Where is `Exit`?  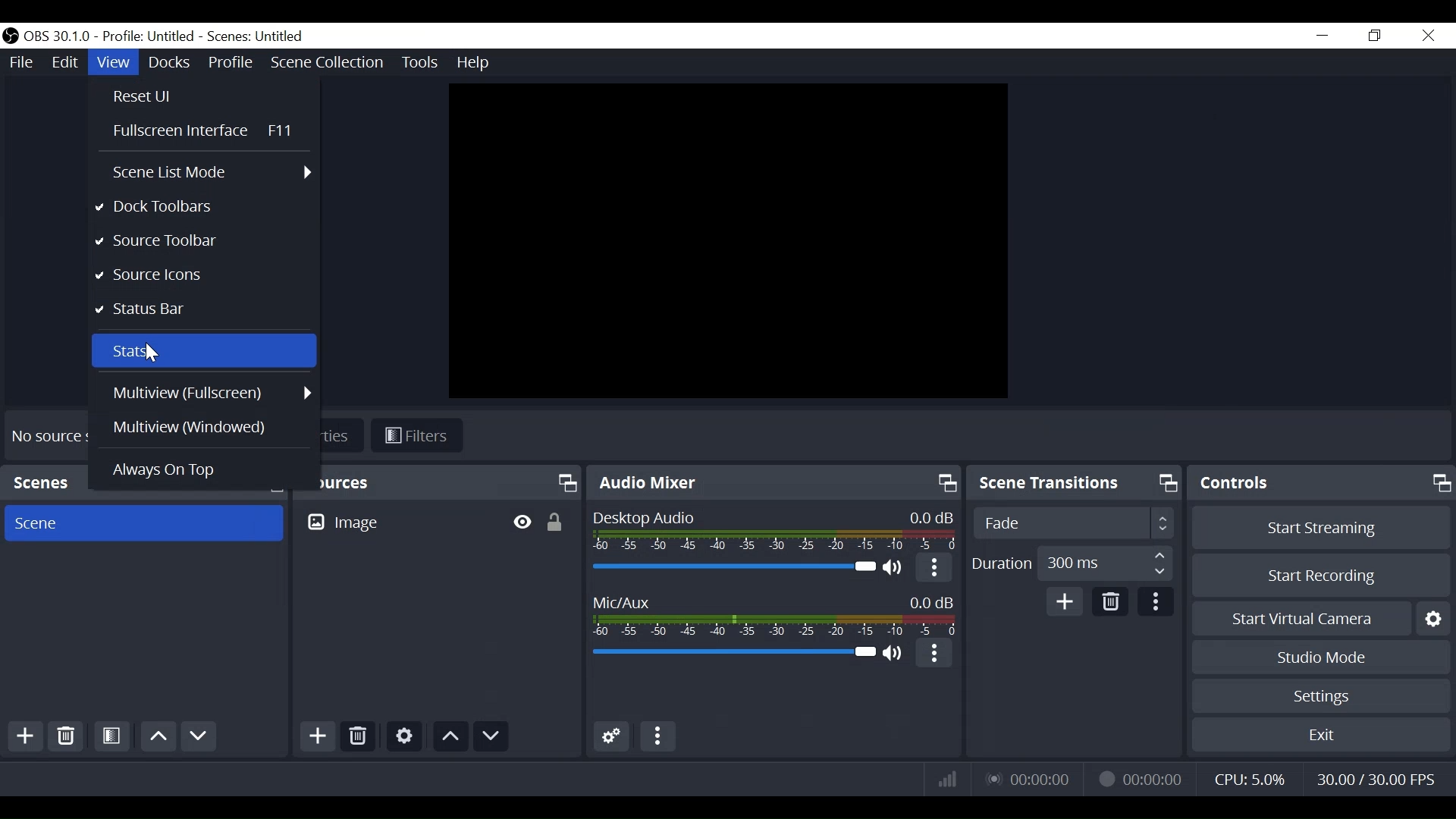
Exit is located at coordinates (1320, 736).